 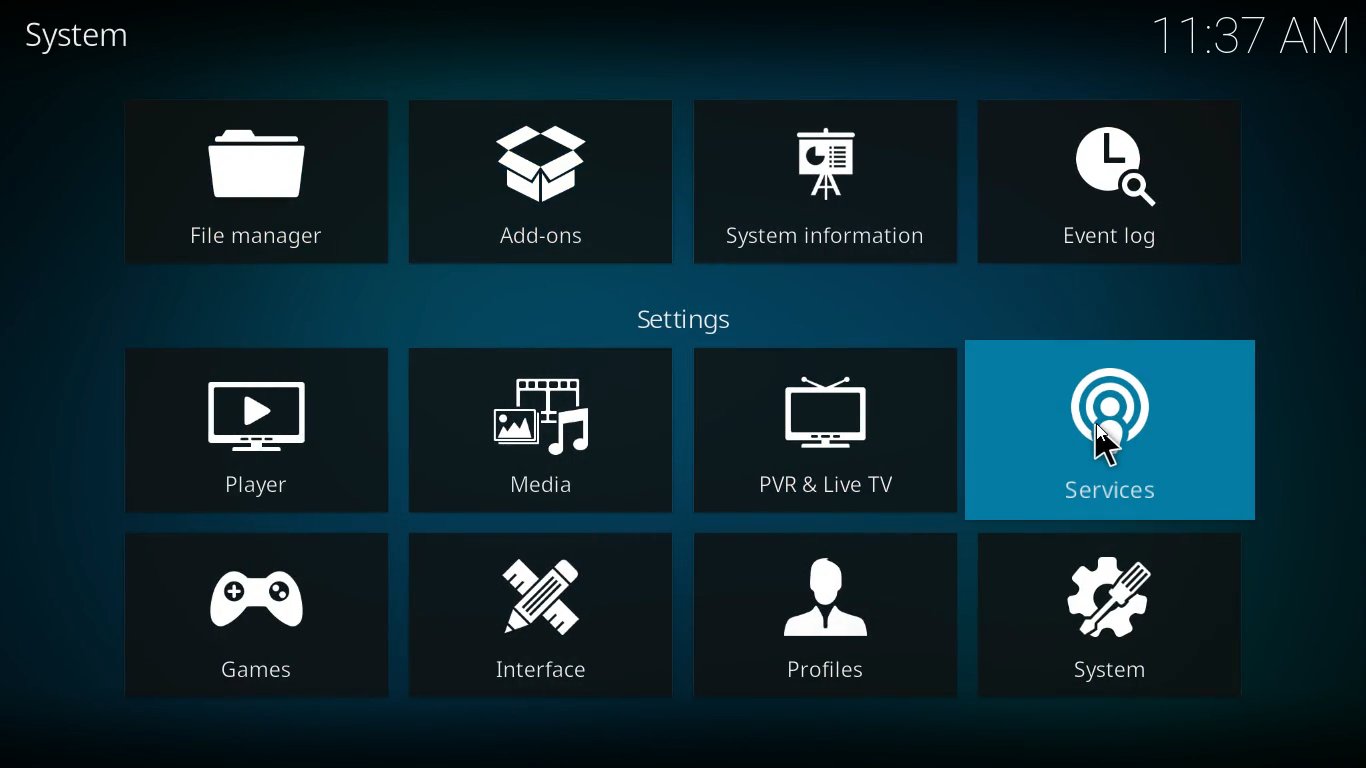 I want to click on file manager, so click(x=251, y=183).